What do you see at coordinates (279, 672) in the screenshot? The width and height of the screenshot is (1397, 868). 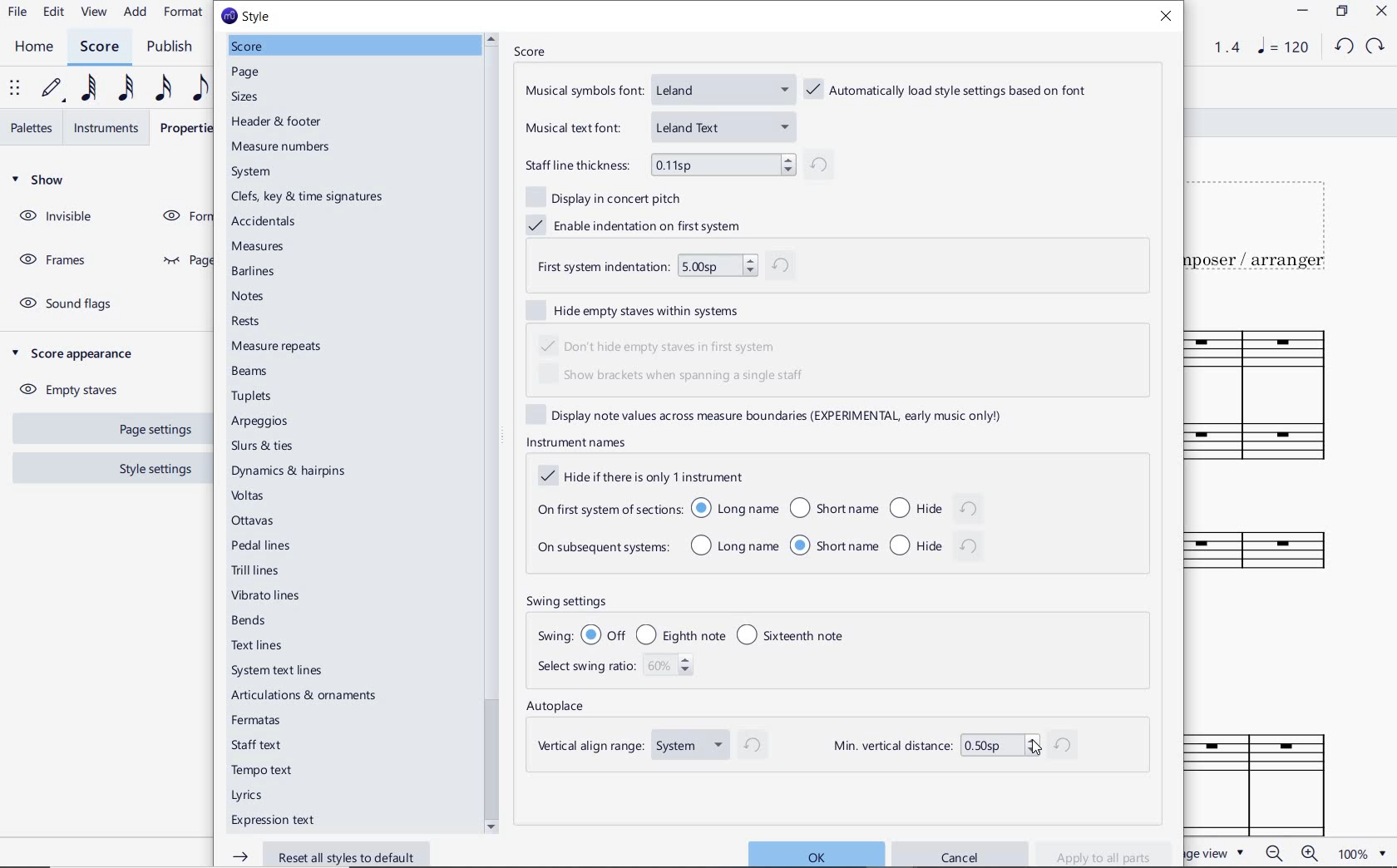 I see `system text lines` at bounding box center [279, 672].